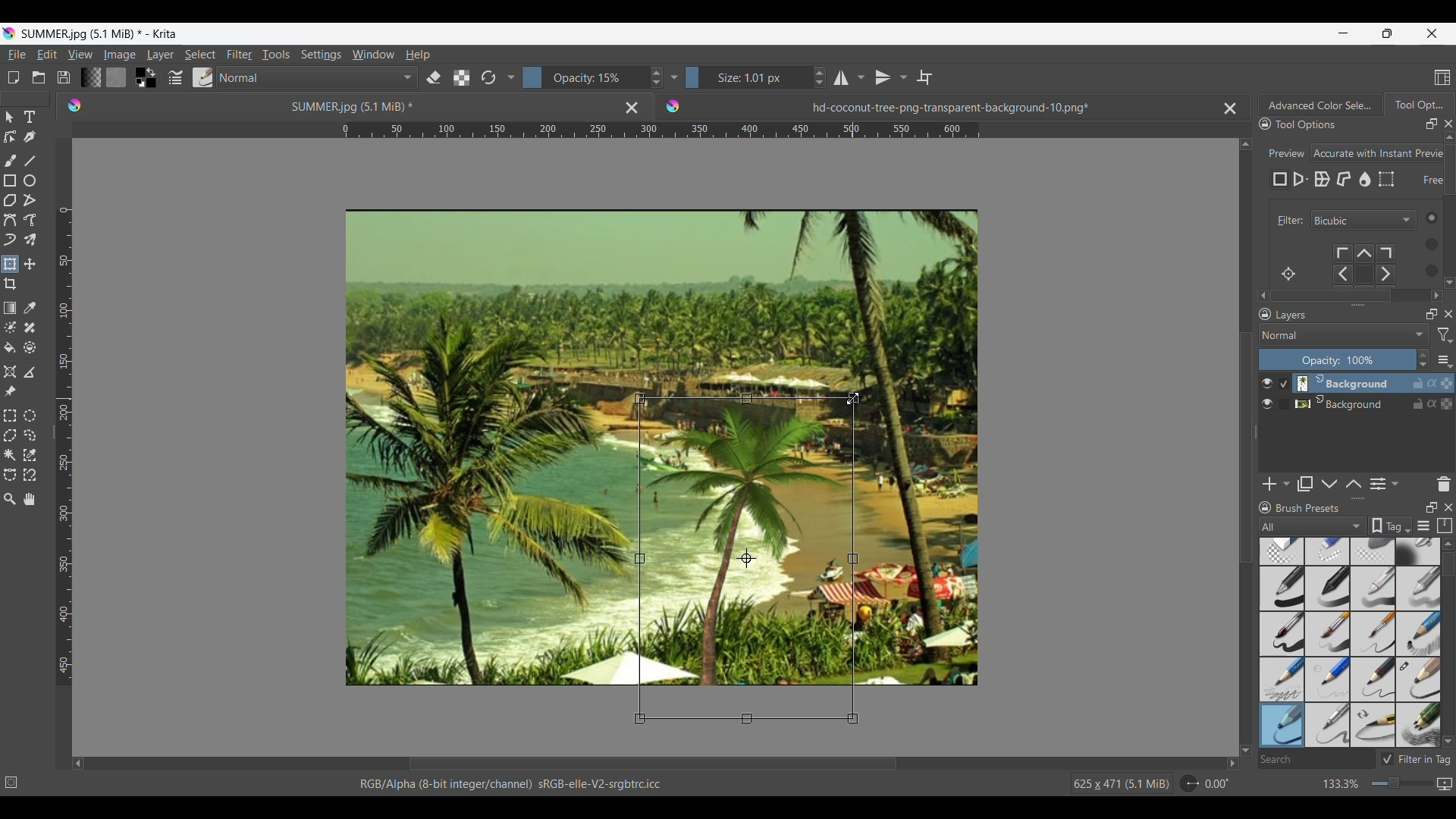 The image size is (1456, 819). I want to click on Select, so click(1426, 243).